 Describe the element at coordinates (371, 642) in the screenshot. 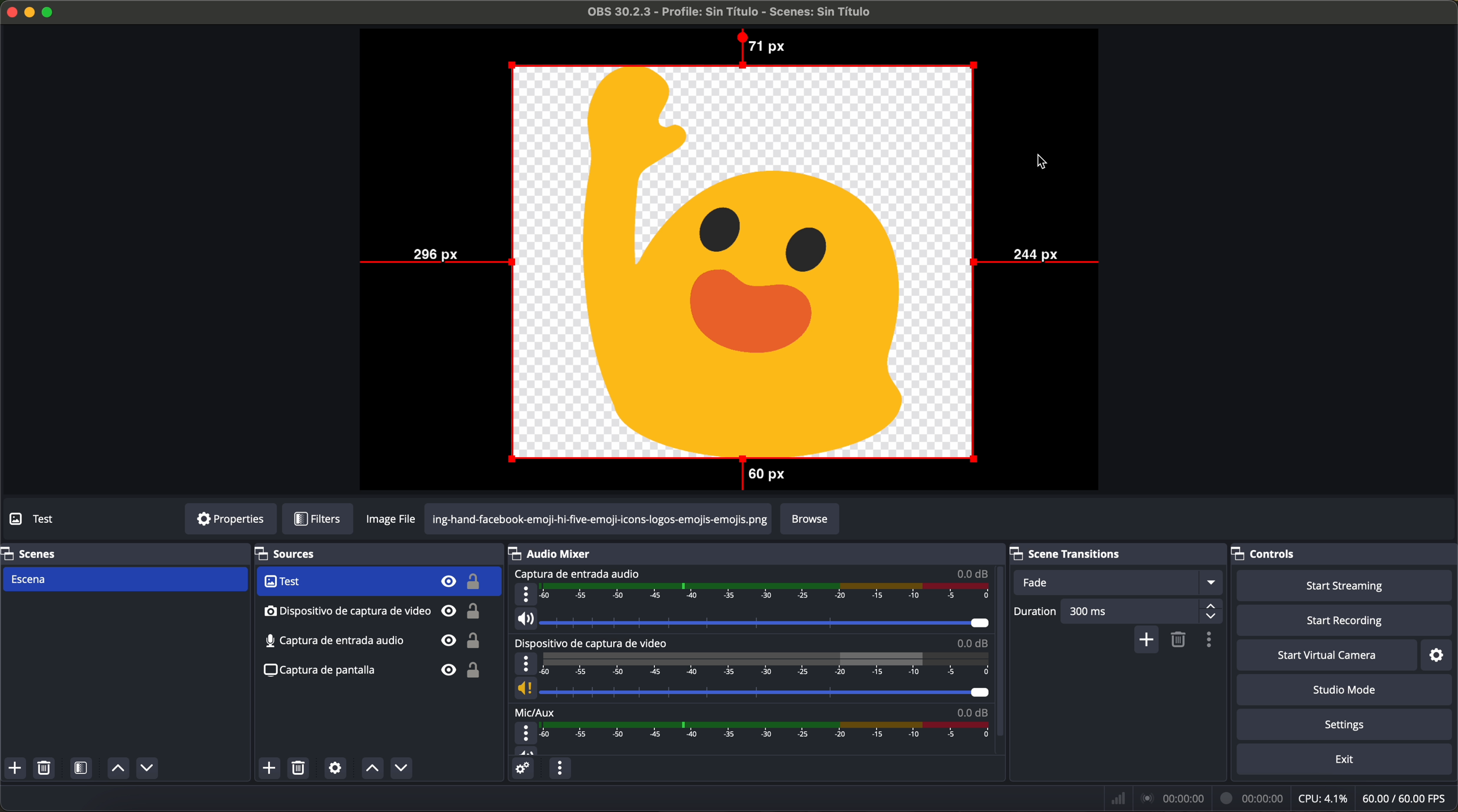

I see `screenshot` at that location.